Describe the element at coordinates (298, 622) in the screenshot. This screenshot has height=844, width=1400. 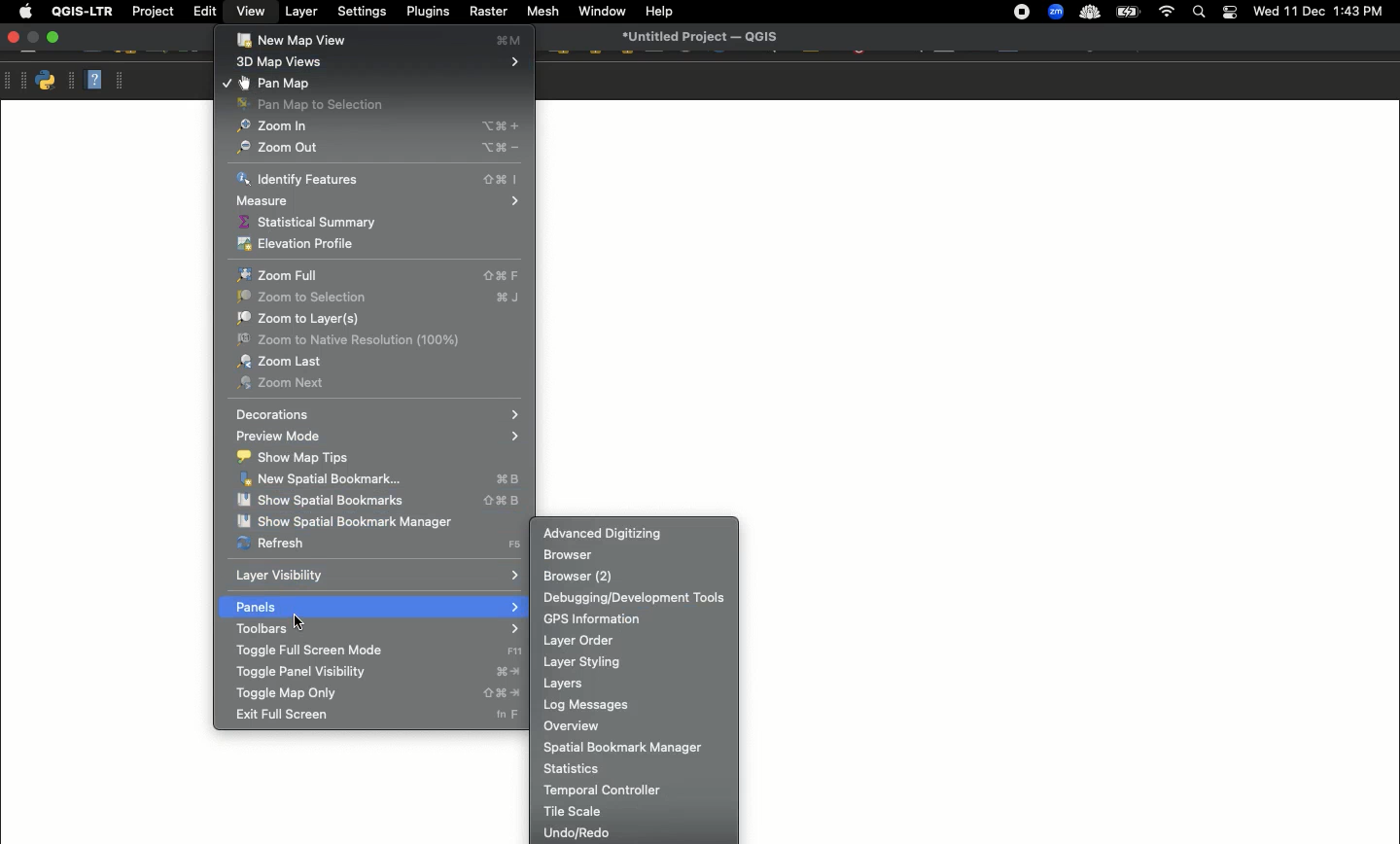
I see `Cursor` at that location.